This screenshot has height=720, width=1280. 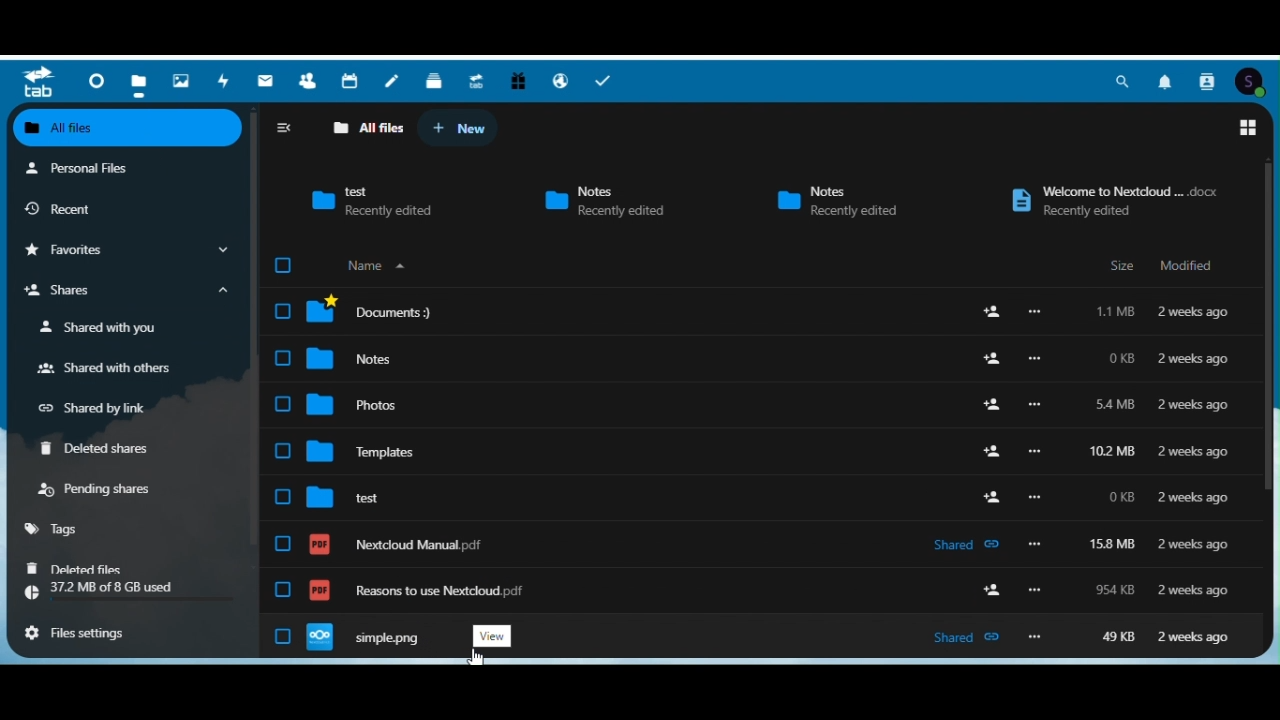 What do you see at coordinates (392, 79) in the screenshot?
I see `Notes ` at bounding box center [392, 79].